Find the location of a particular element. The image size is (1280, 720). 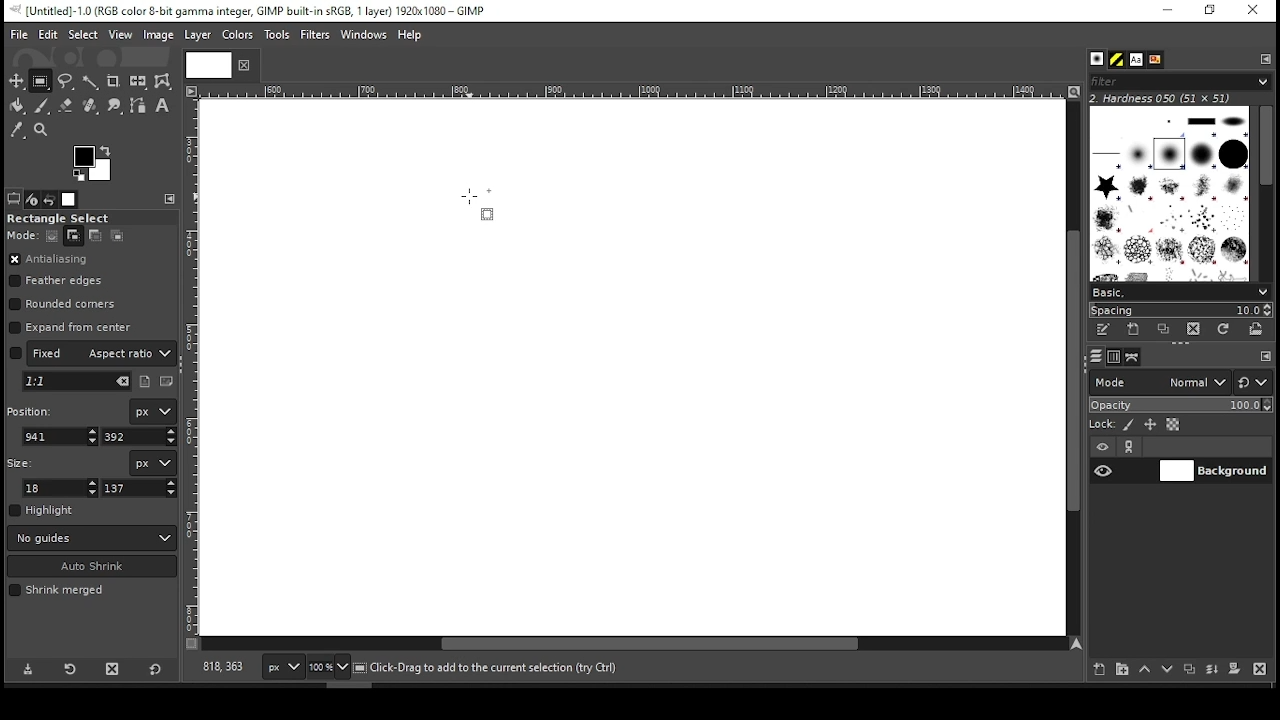

size is located at coordinates (24, 461).